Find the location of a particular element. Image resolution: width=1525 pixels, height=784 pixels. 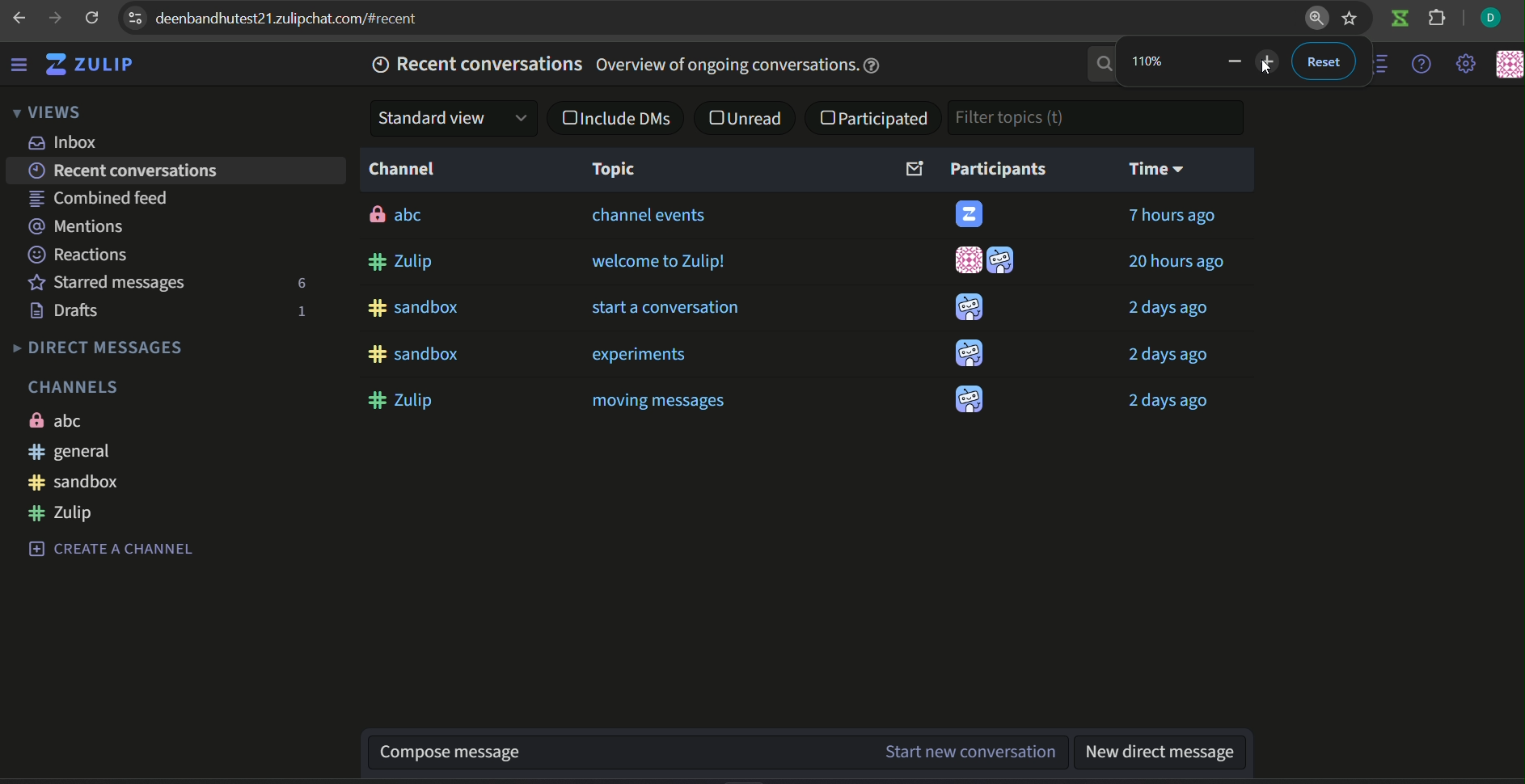

recent conversations overview of ongoing conversations is located at coordinates (630, 66).